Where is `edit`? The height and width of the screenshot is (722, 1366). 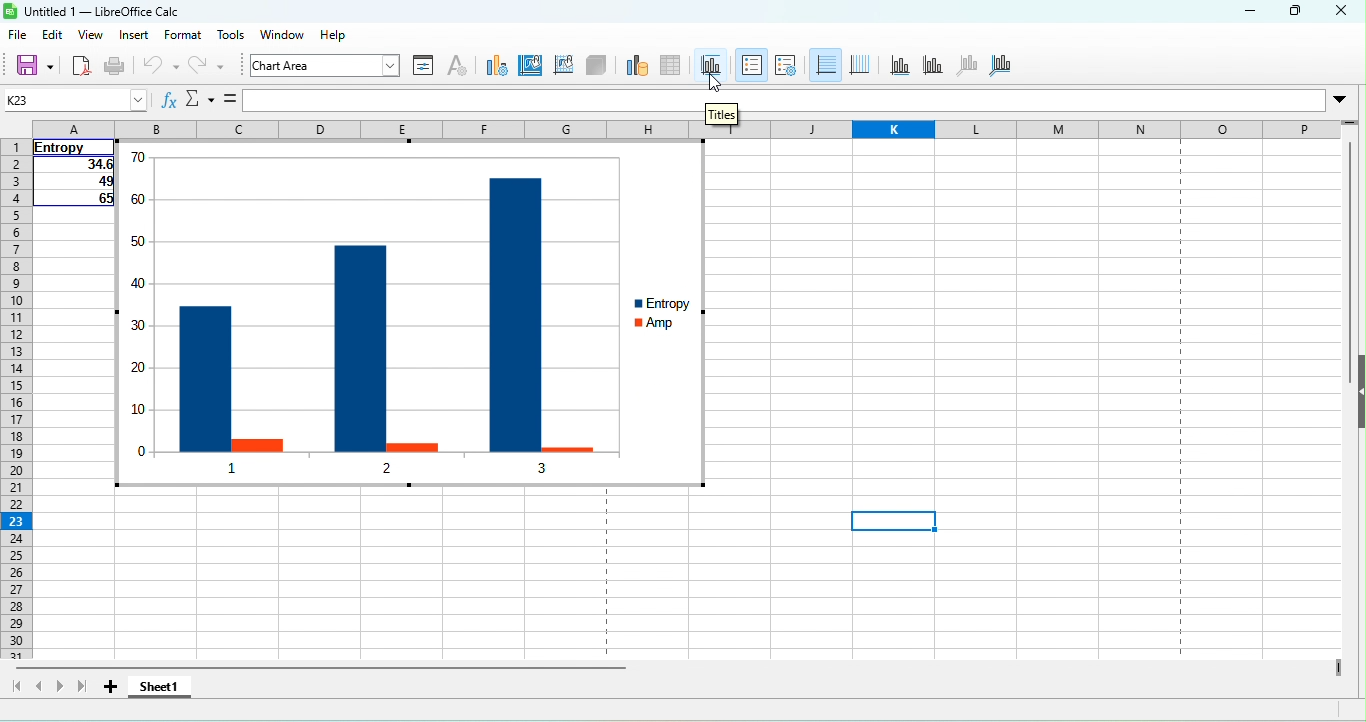 edit is located at coordinates (52, 35).